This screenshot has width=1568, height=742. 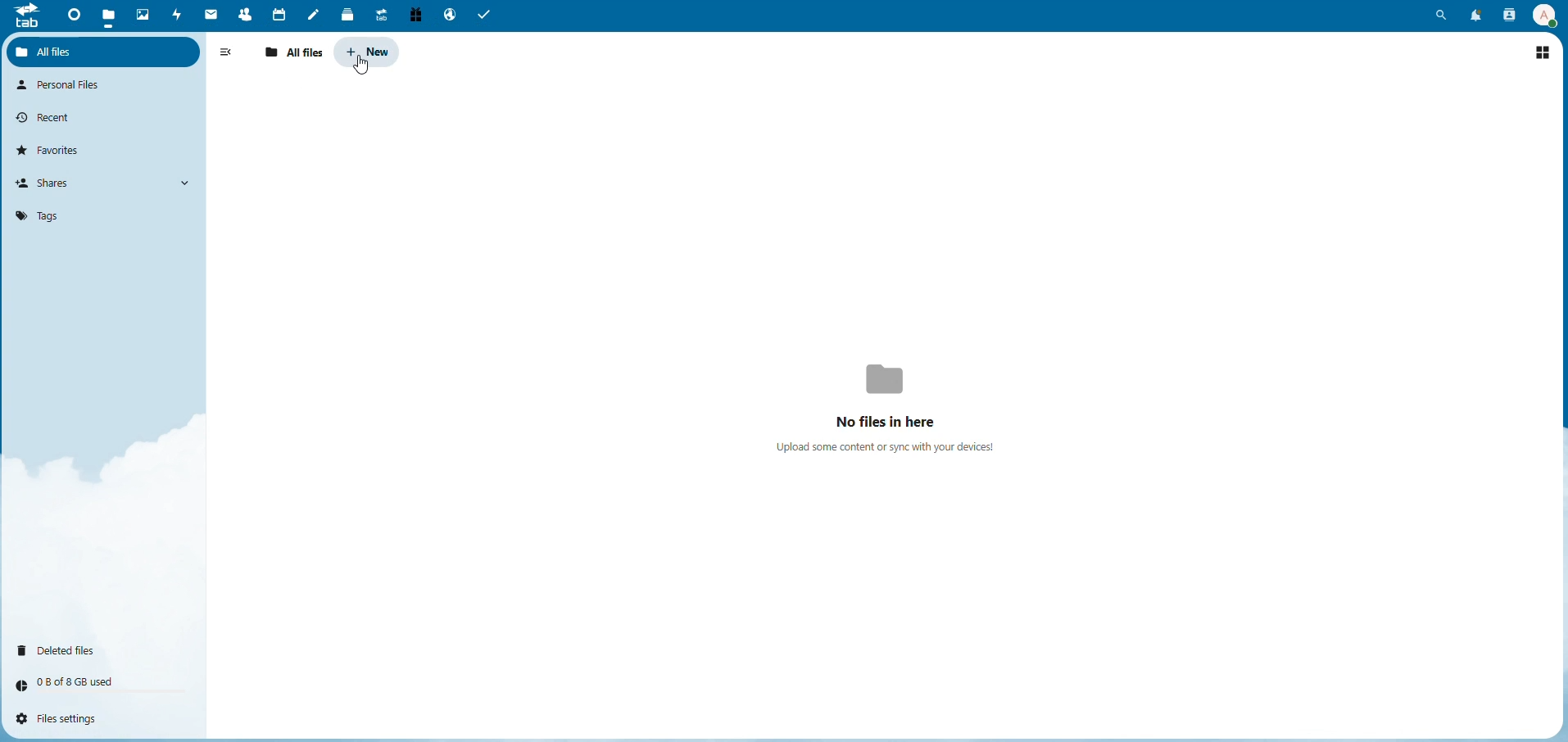 What do you see at coordinates (1473, 15) in the screenshot?
I see `Notification` at bounding box center [1473, 15].